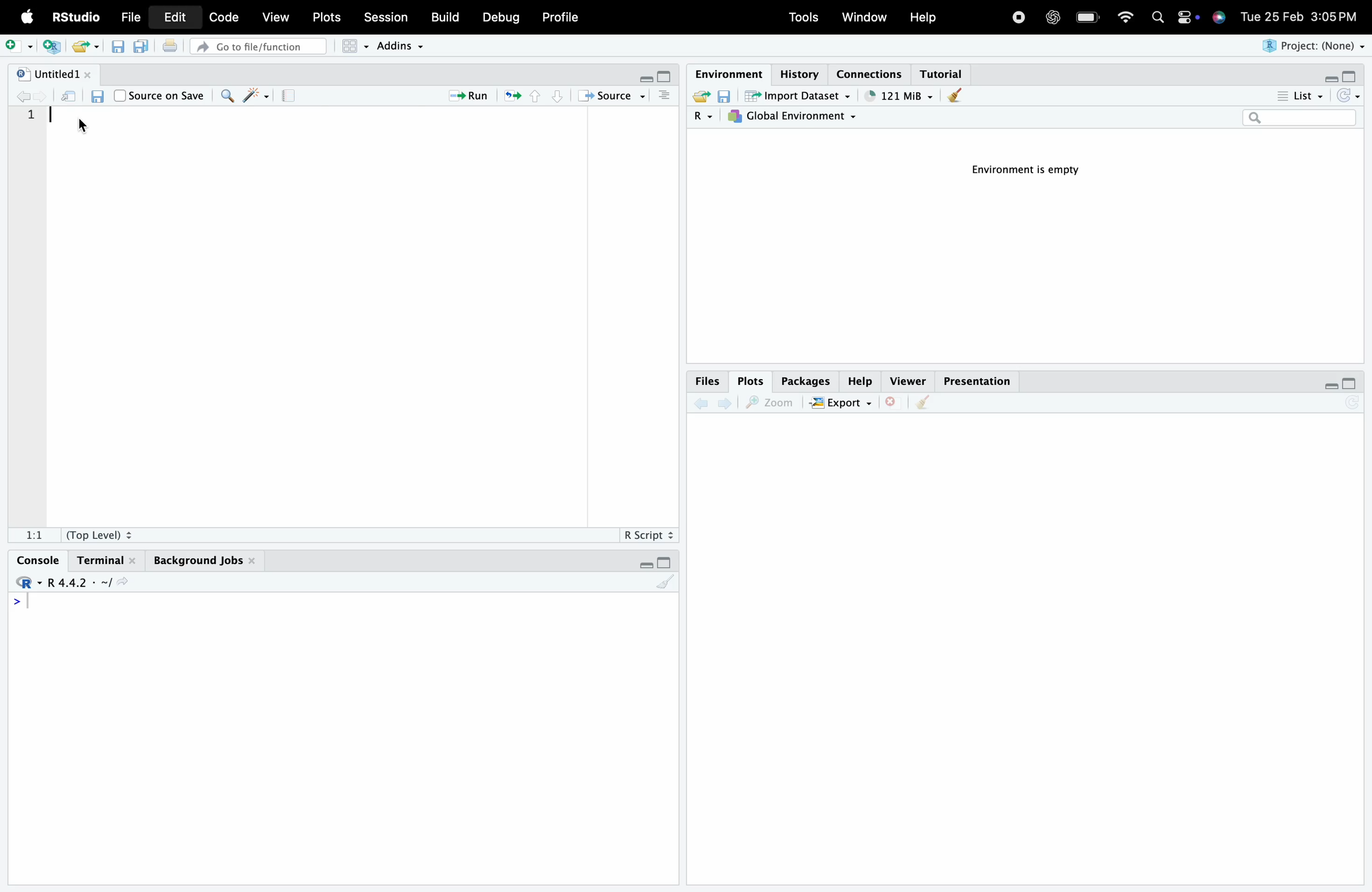 This screenshot has height=892, width=1372. What do you see at coordinates (897, 95) in the screenshot?
I see `121kib used by R session (Source: Windows System)` at bounding box center [897, 95].